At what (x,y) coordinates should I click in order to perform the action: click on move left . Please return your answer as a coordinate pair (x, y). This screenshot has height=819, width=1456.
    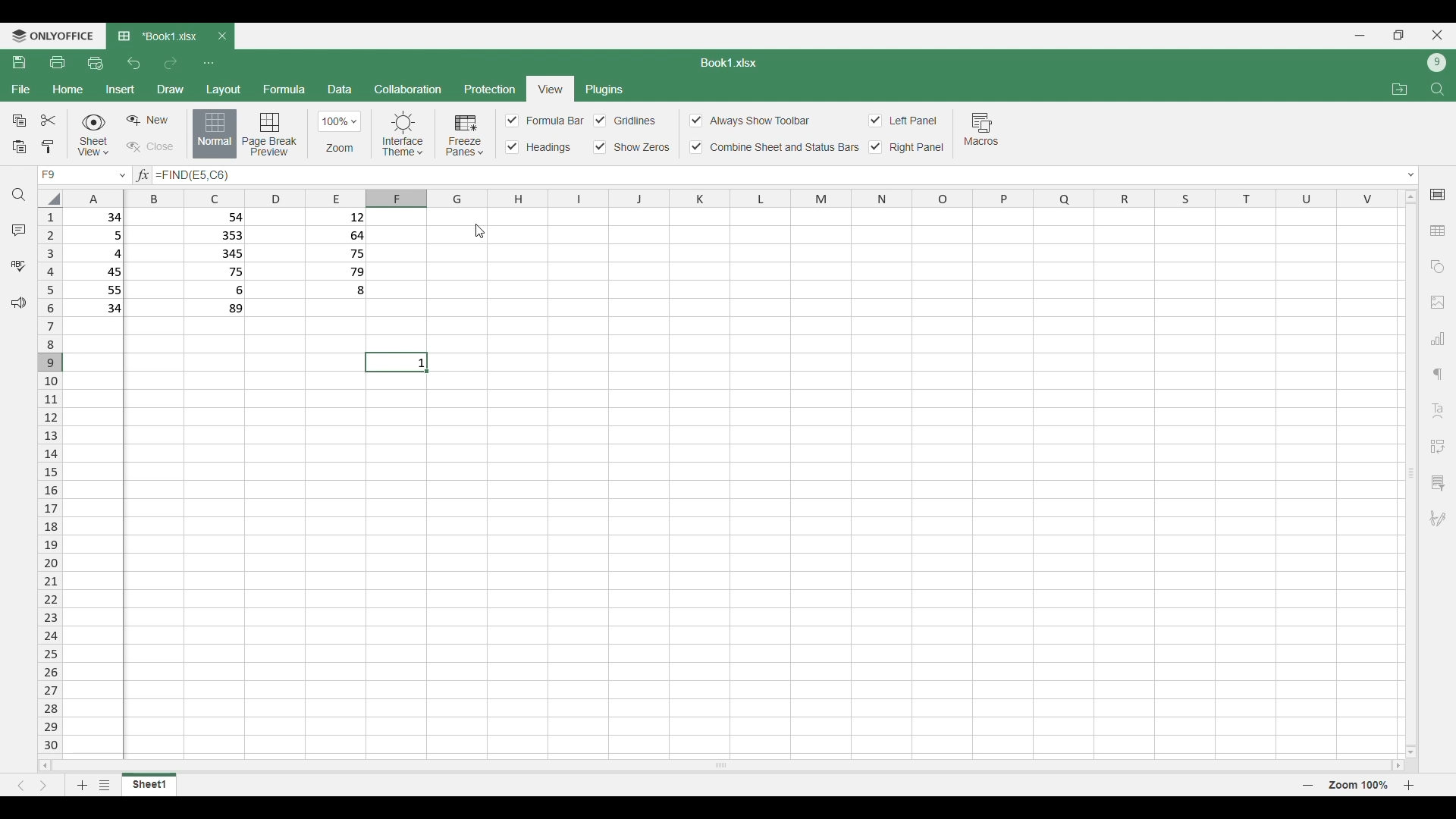
    Looking at the image, I should click on (45, 769).